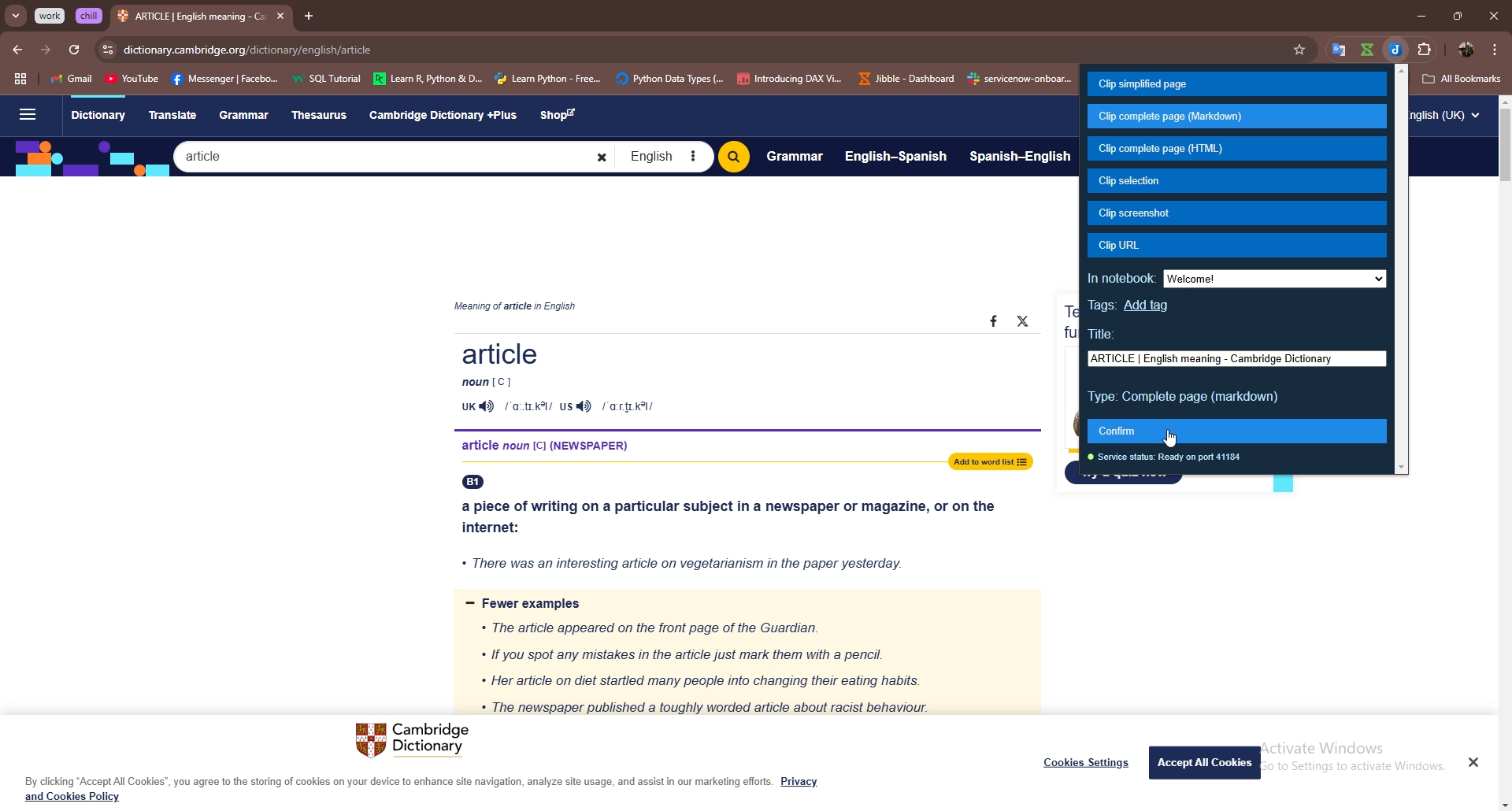  What do you see at coordinates (1506, 147) in the screenshot?
I see `scroll bar` at bounding box center [1506, 147].